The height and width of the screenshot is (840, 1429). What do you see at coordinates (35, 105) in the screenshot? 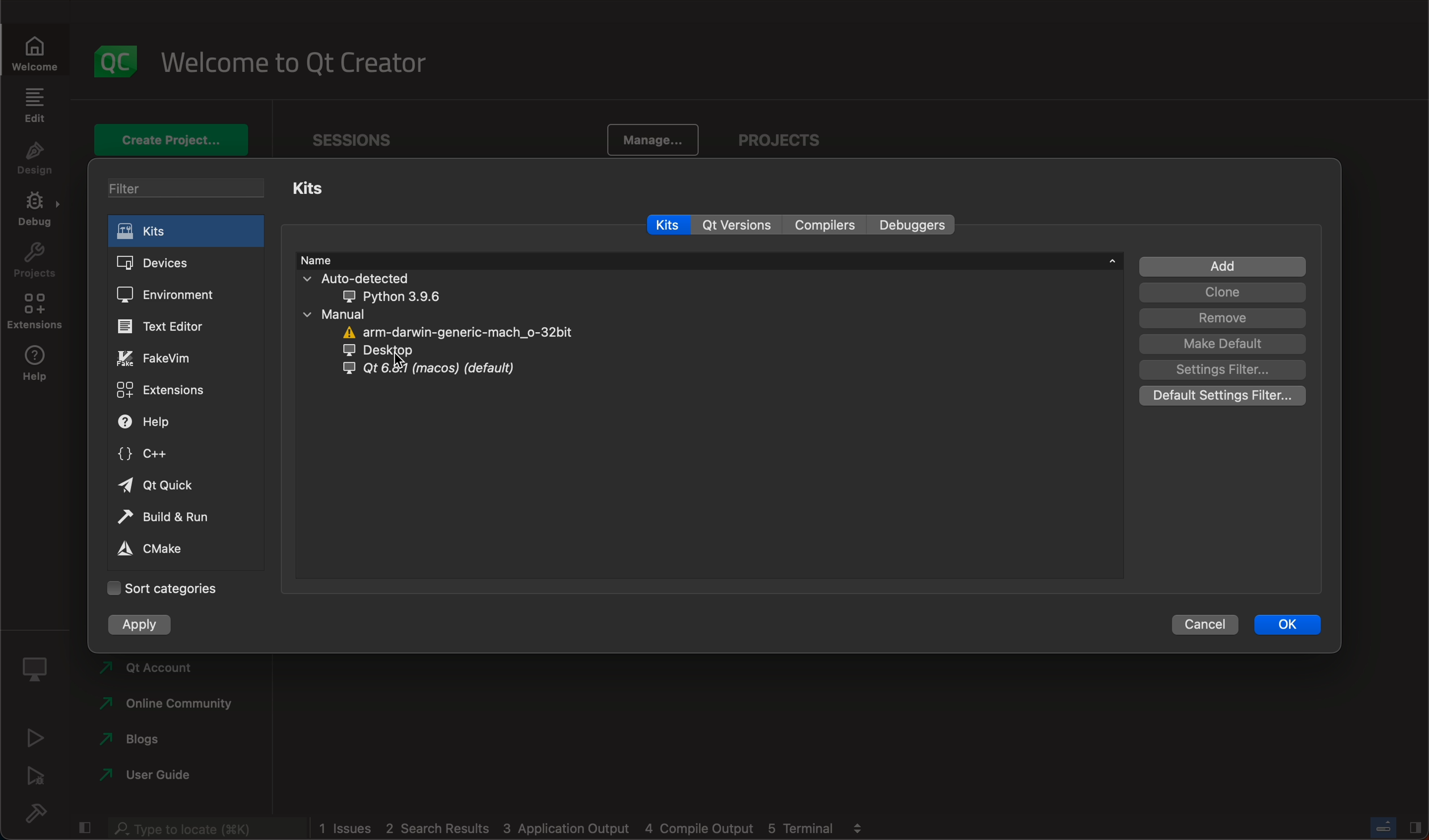
I see `edit` at bounding box center [35, 105].